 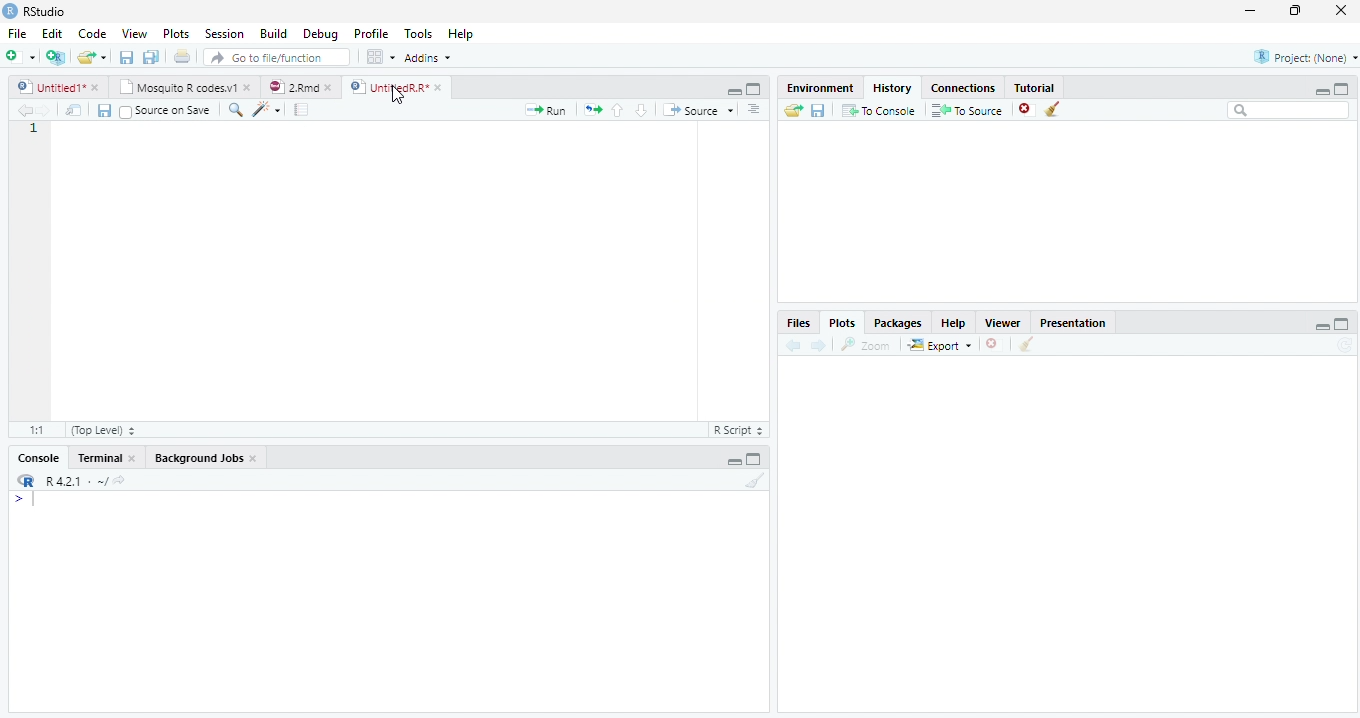 I want to click on Terminal, so click(x=107, y=457).